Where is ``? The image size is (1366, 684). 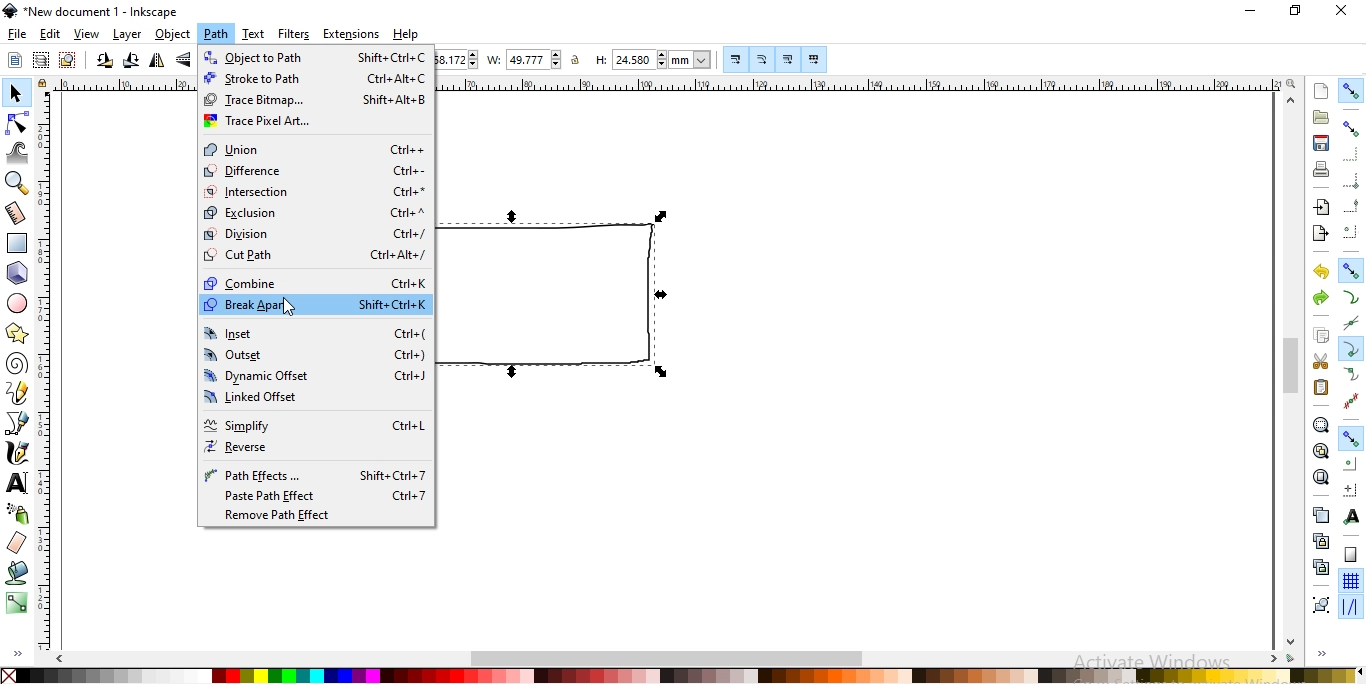
 is located at coordinates (737, 62).